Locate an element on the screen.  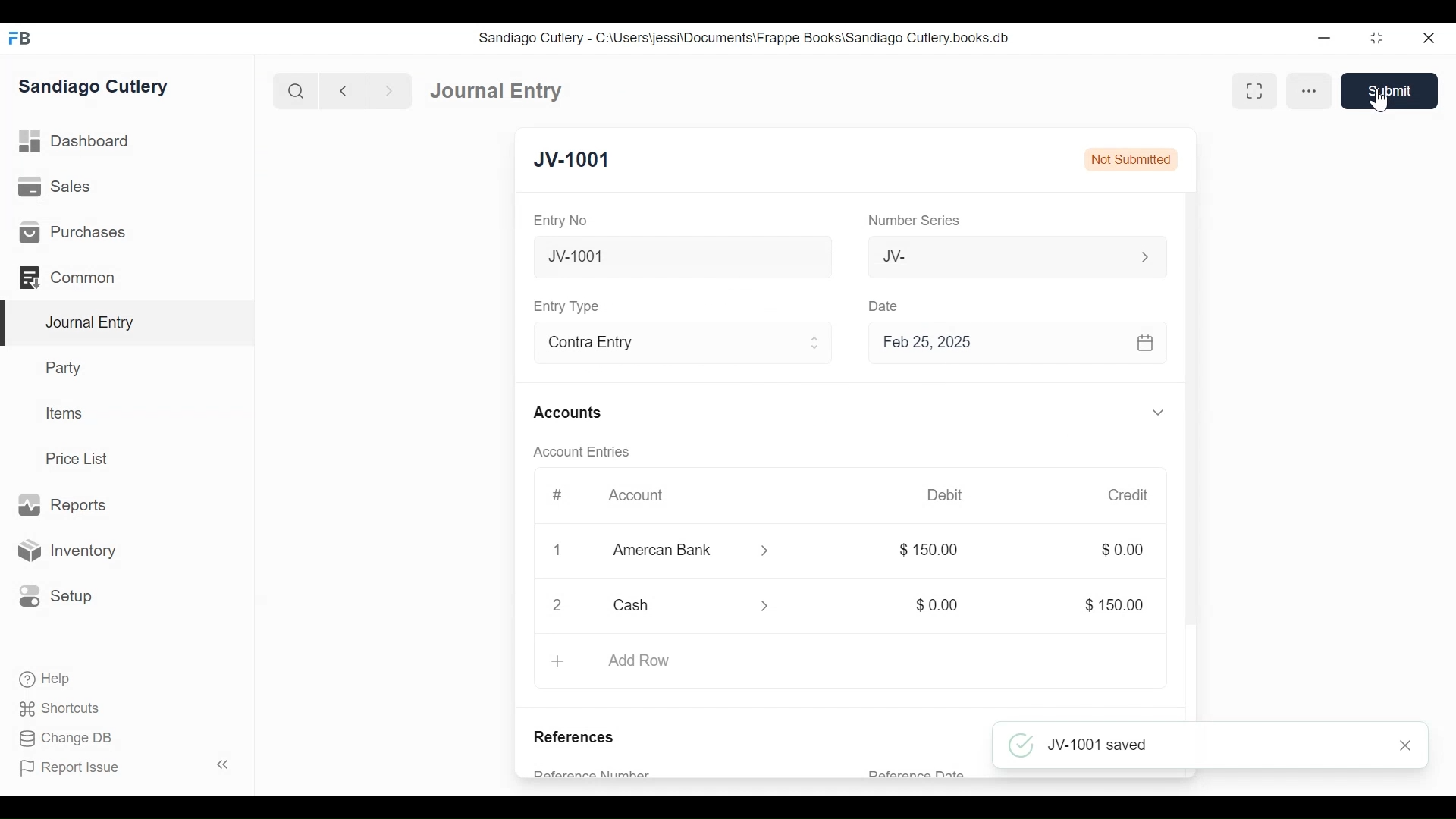
Navigate back is located at coordinates (343, 93).